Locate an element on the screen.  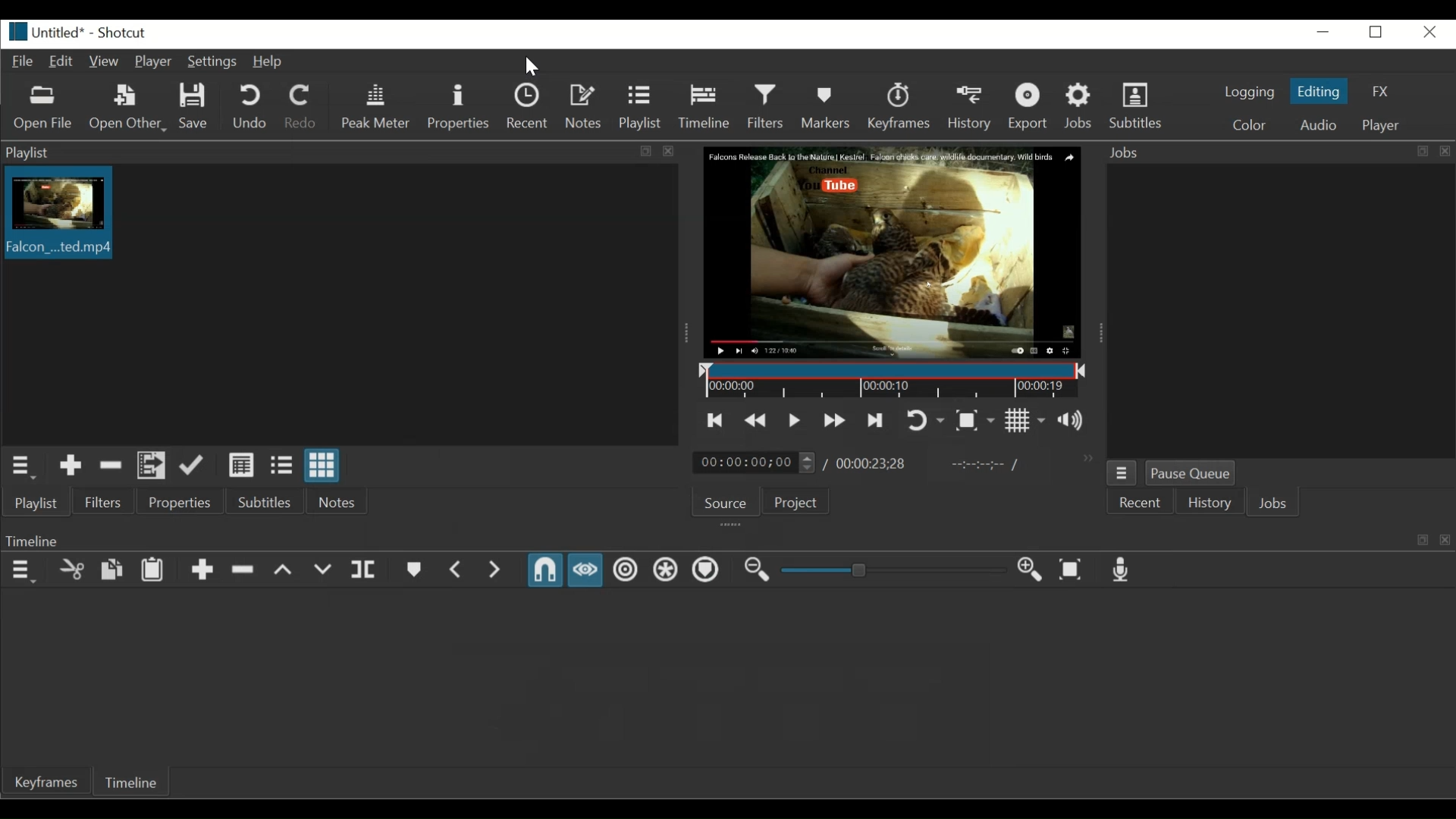
Audio is located at coordinates (1317, 124).